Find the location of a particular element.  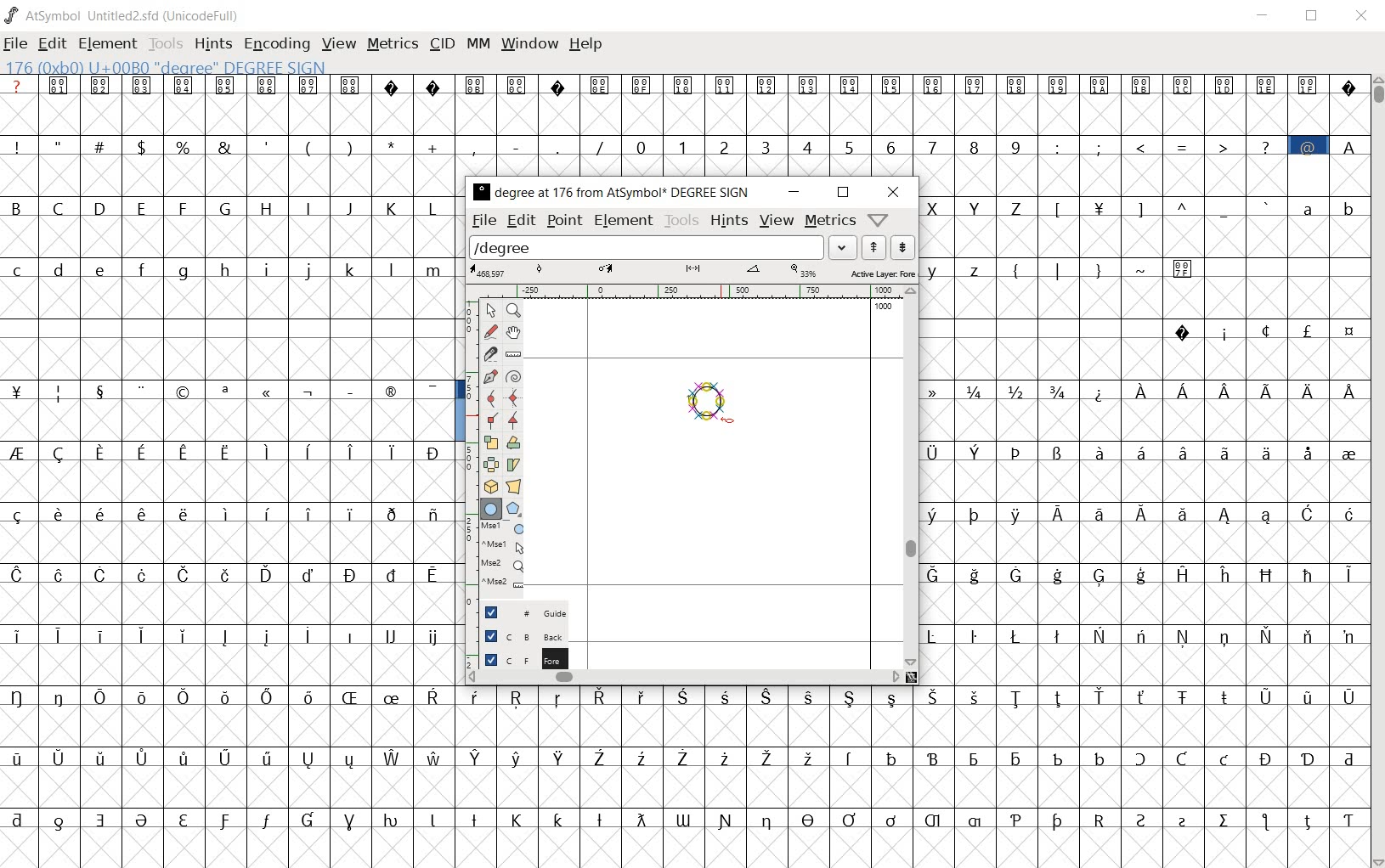

draw a freehand curve is located at coordinates (490, 331).